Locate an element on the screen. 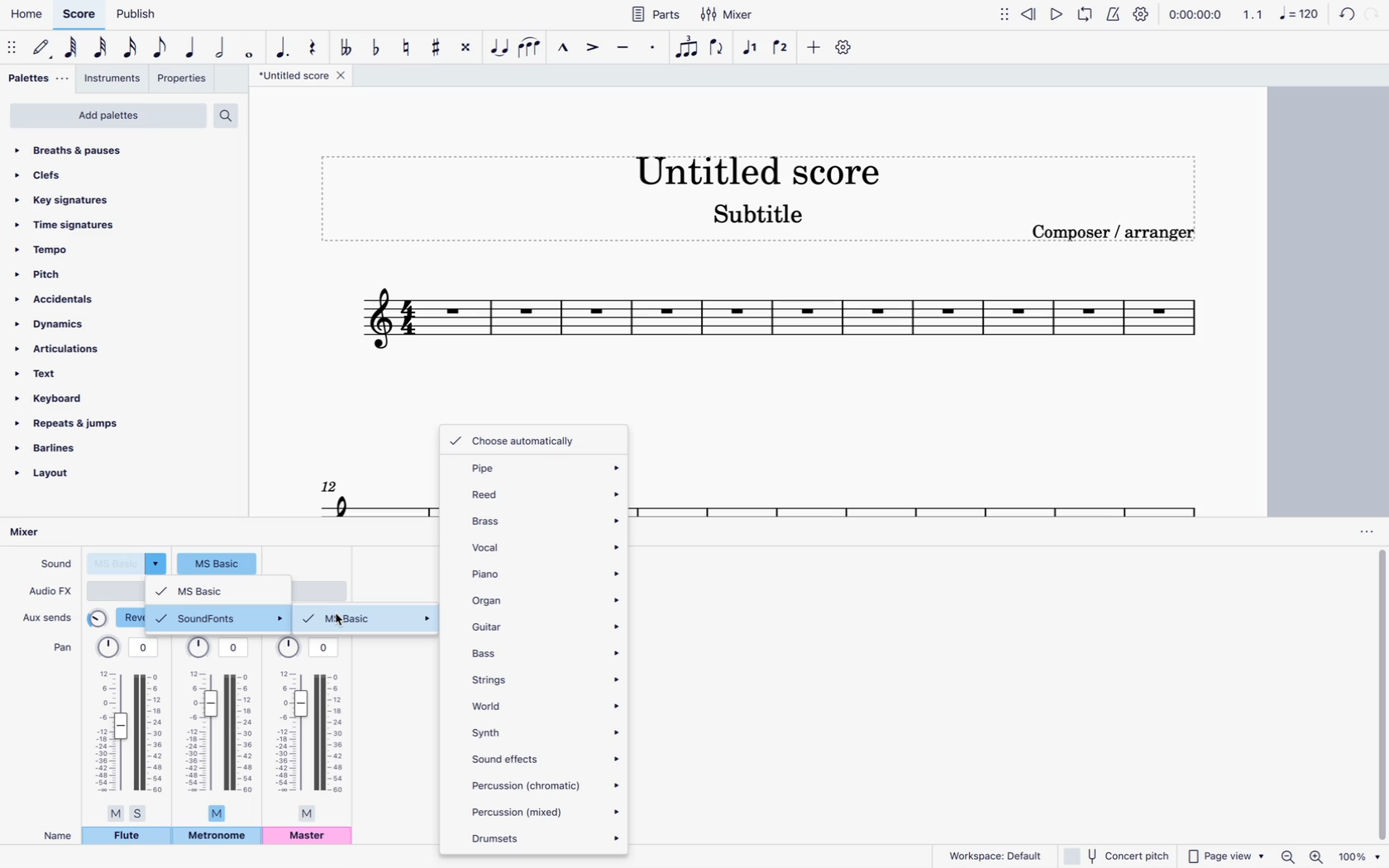 Image resolution: width=1389 pixels, height=868 pixels. marcato is located at coordinates (561, 46).